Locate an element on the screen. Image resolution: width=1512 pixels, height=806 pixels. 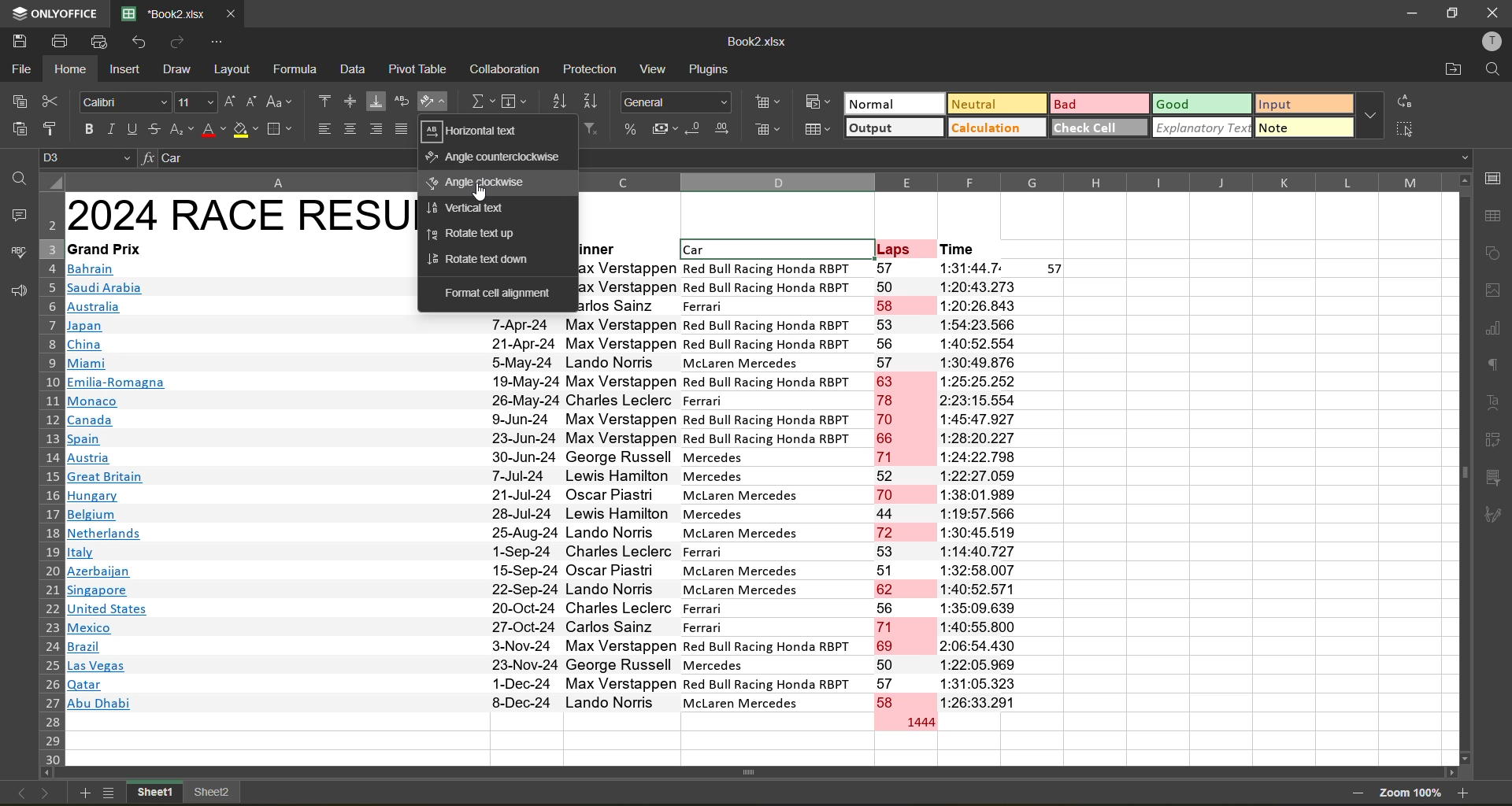
fields is located at coordinates (517, 102).